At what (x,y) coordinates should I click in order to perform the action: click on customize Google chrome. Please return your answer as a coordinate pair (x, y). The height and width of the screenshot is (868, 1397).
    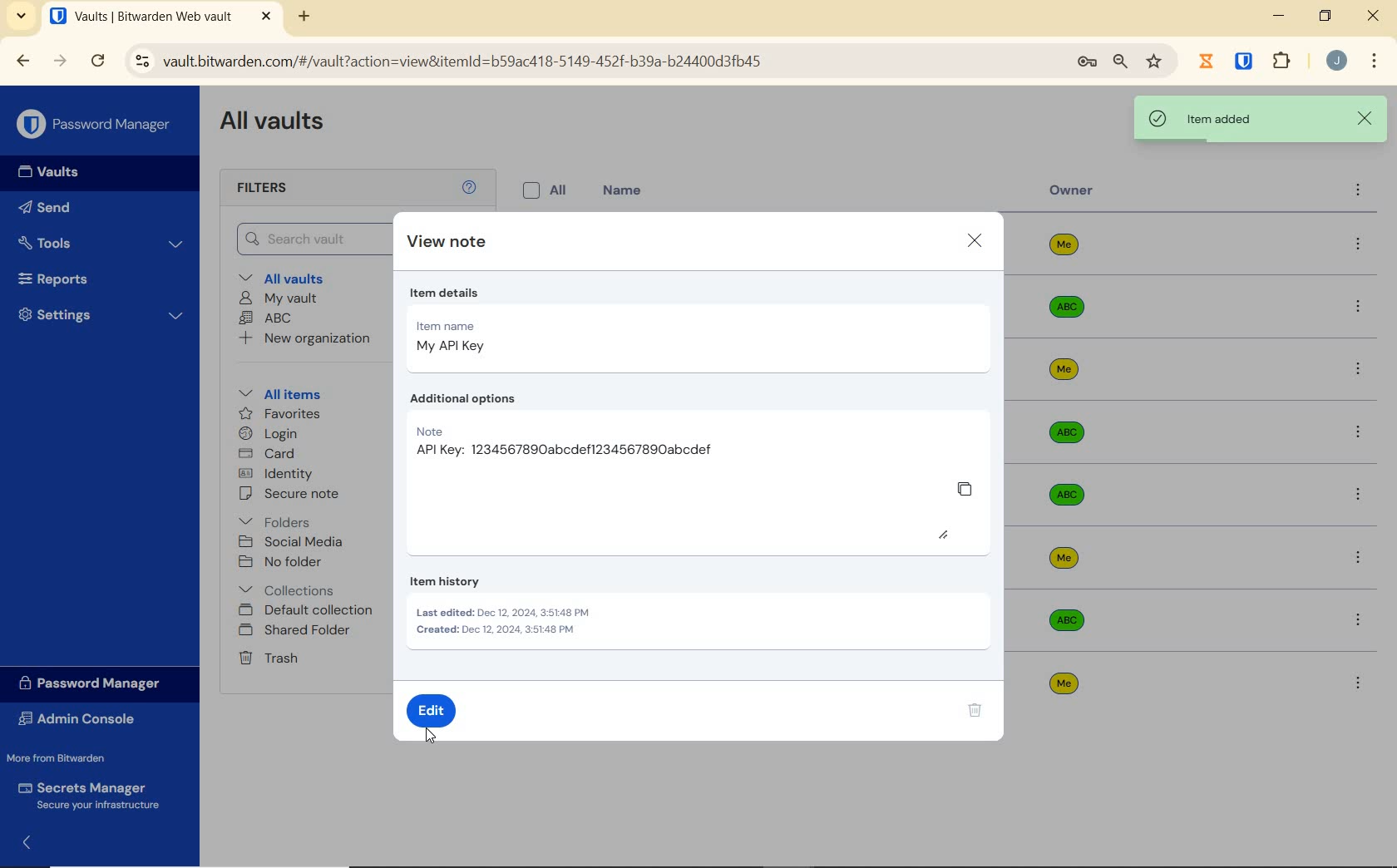
    Looking at the image, I should click on (1374, 62).